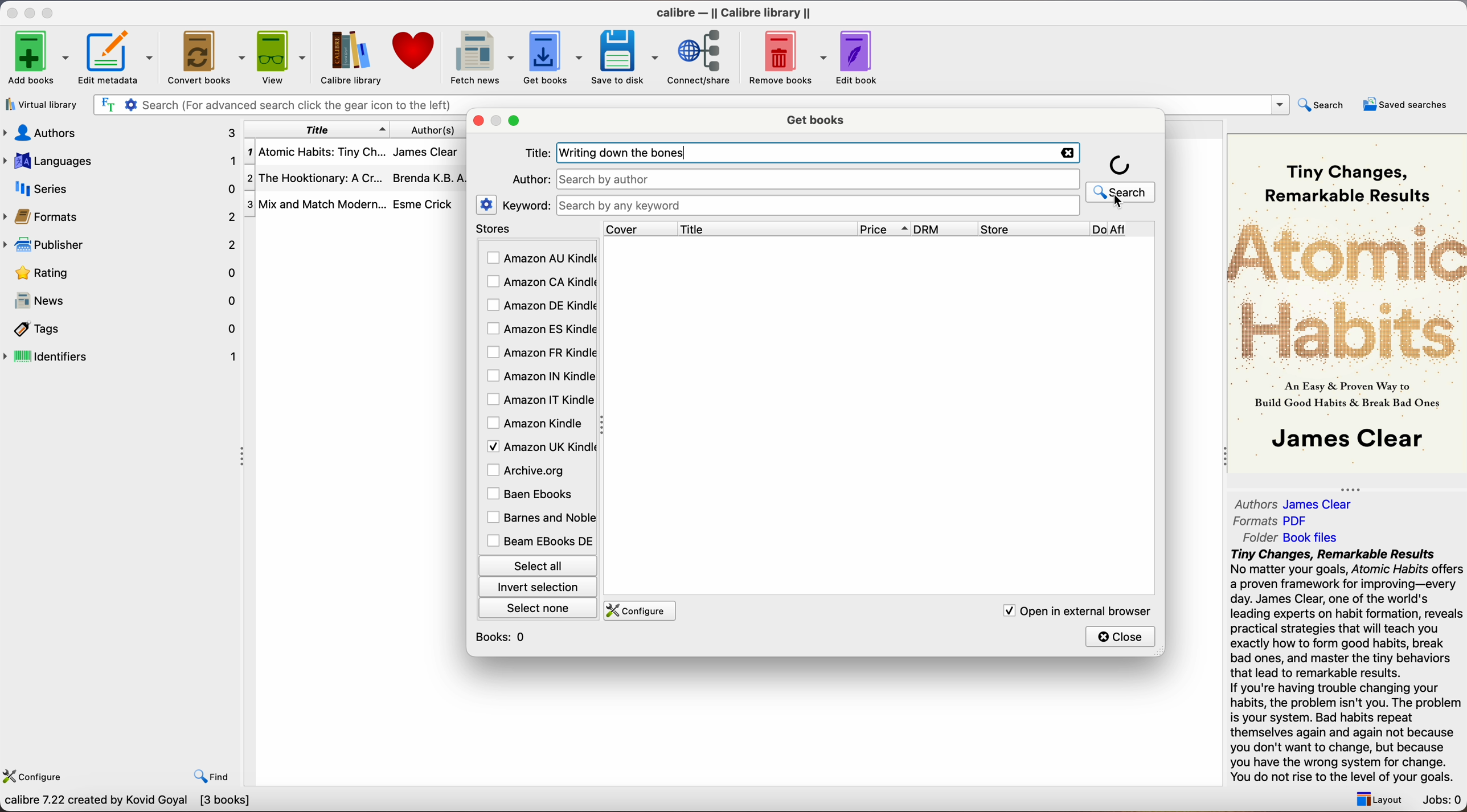  Describe the element at coordinates (32, 12) in the screenshot. I see `minimize` at that location.